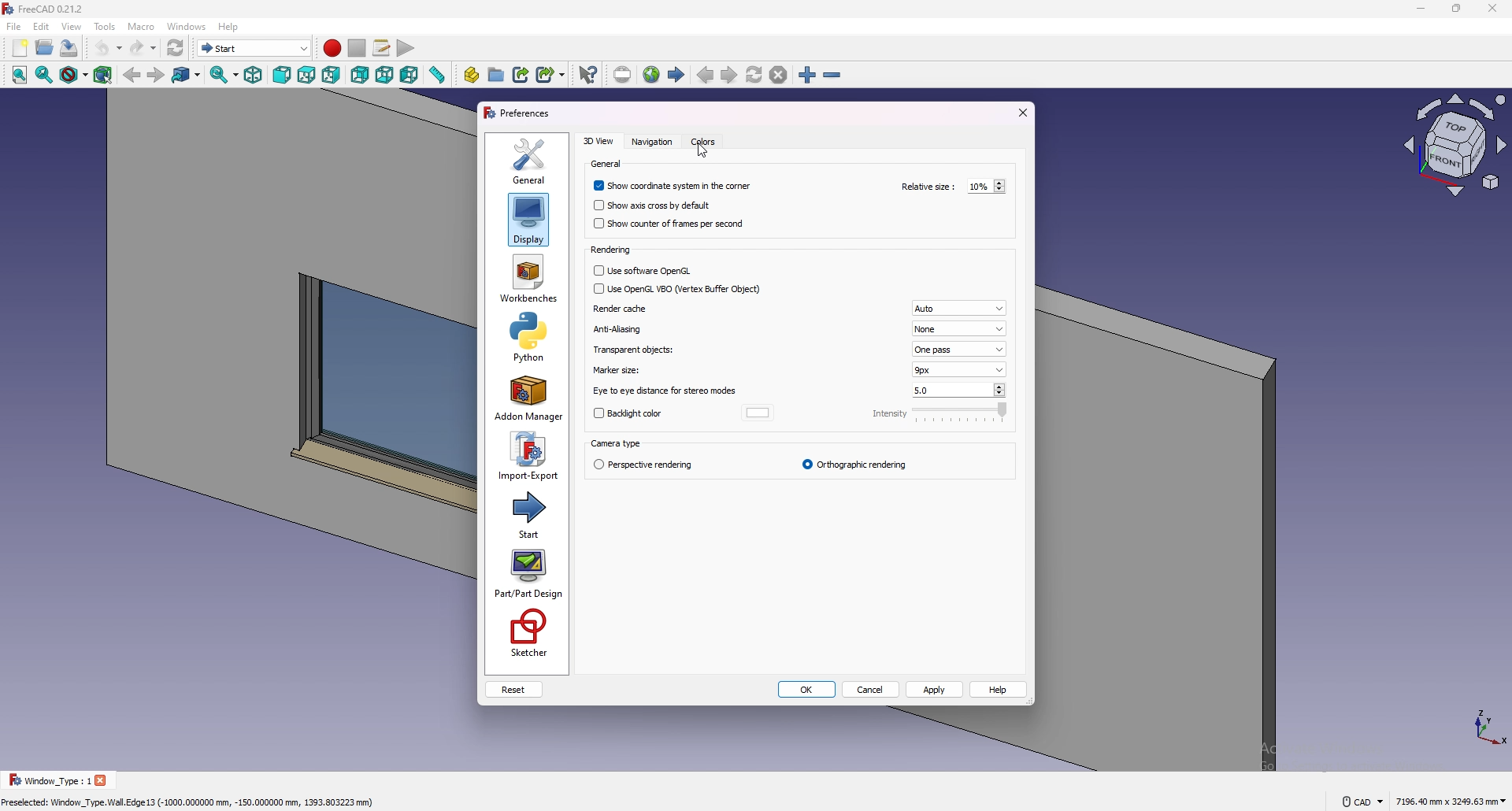  I want to click on relative size: 10%, so click(954, 186).